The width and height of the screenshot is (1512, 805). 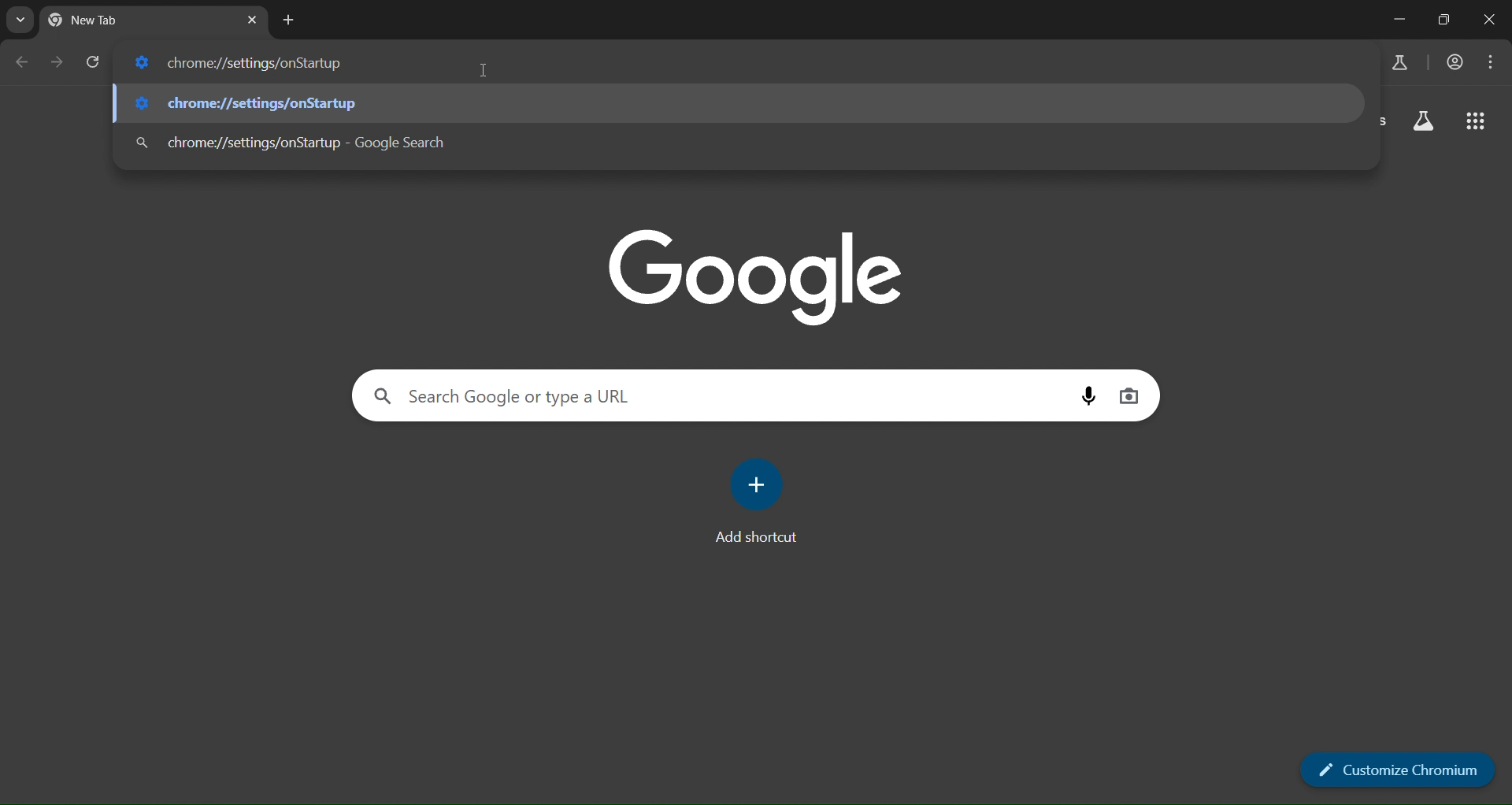 I want to click on image search, so click(x=1126, y=395).